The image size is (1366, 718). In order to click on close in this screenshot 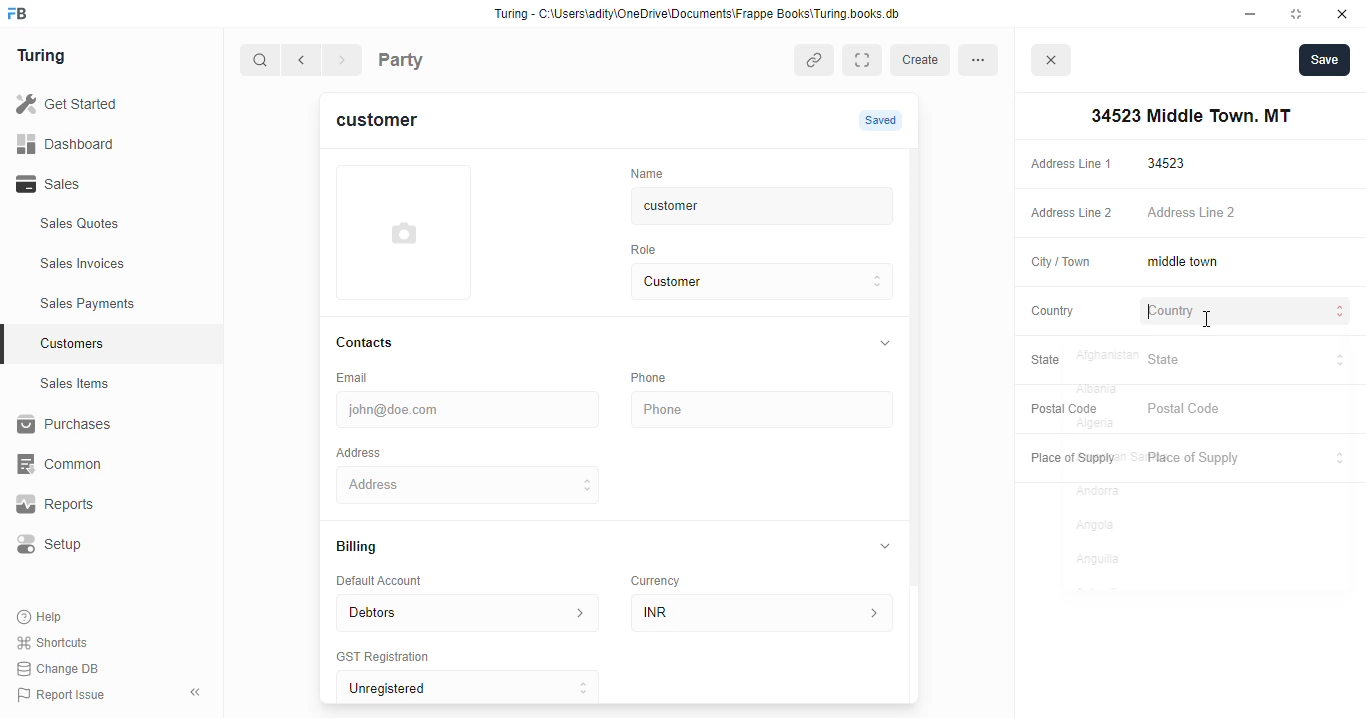, I will do `click(1054, 63)`.